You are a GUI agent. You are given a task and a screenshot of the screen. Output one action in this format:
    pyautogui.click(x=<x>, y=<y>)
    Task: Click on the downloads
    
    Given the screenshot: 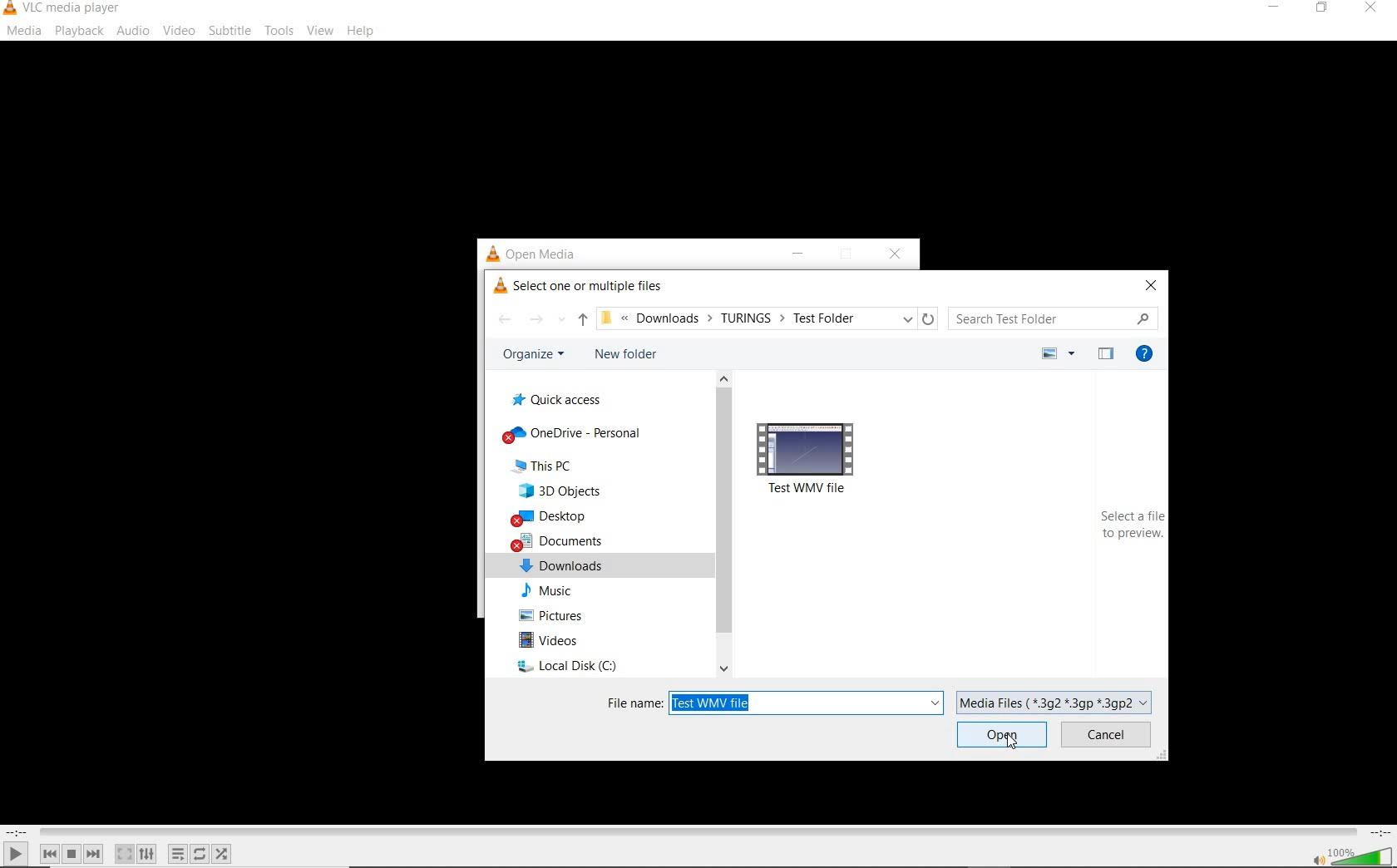 What is the action you would take?
    pyautogui.click(x=565, y=569)
    